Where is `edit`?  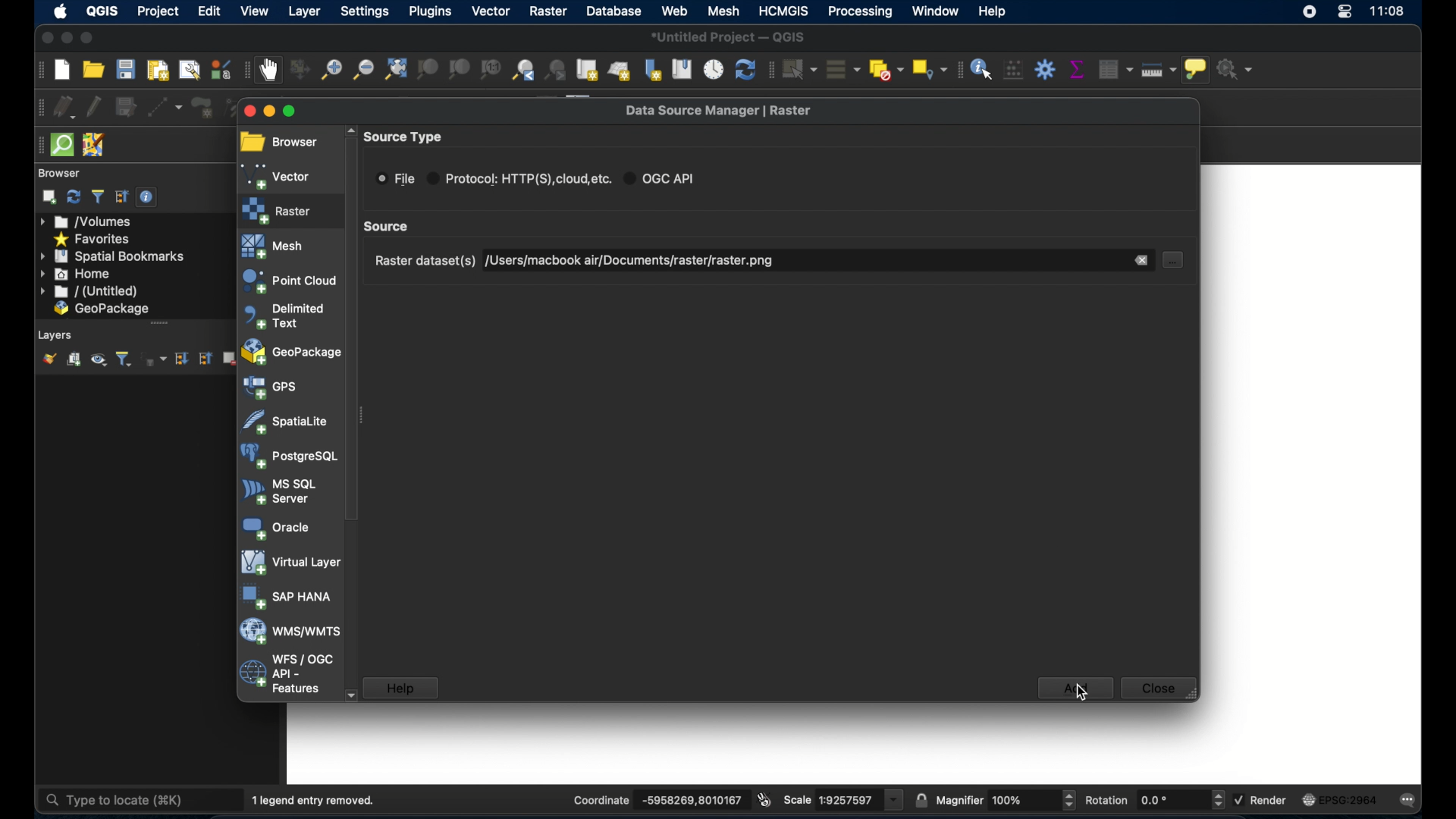
edit is located at coordinates (211, 12).